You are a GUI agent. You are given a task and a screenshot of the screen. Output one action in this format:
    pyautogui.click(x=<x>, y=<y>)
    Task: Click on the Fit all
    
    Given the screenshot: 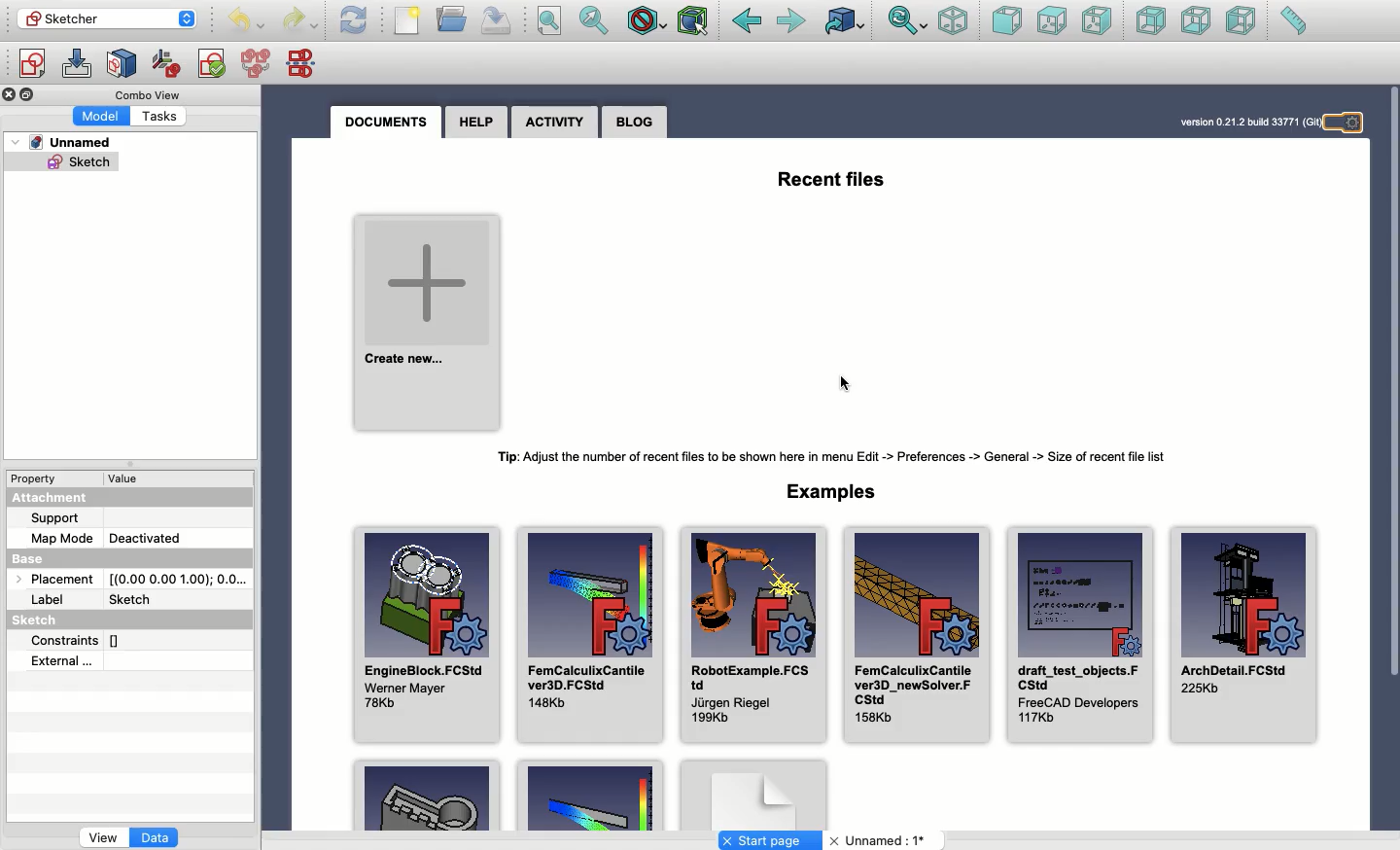 What is the action you would take?
    pyautogui.click(x=554, y=20)
    